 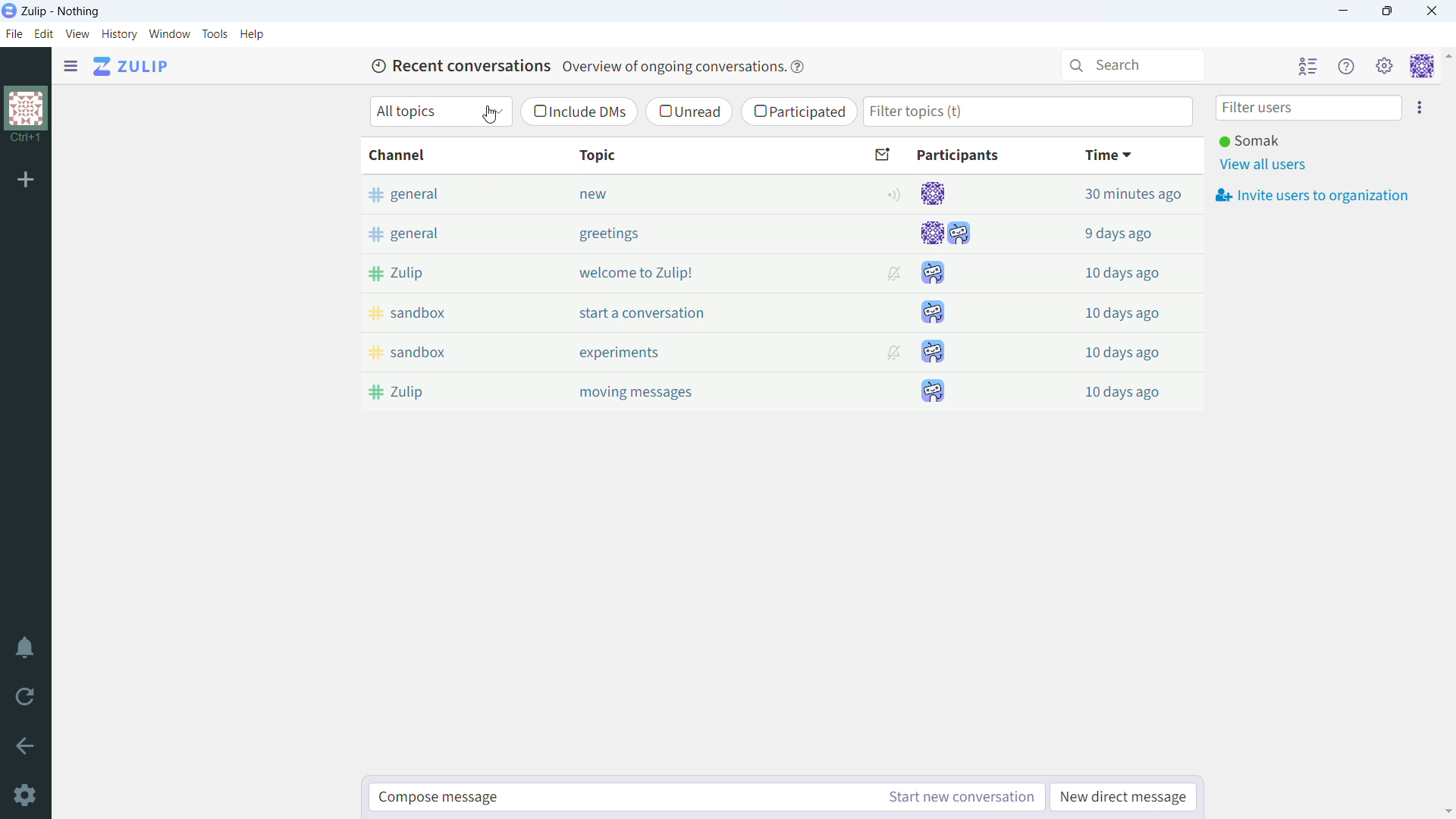 I want to click on main menu, so click(x=1385, y=65).